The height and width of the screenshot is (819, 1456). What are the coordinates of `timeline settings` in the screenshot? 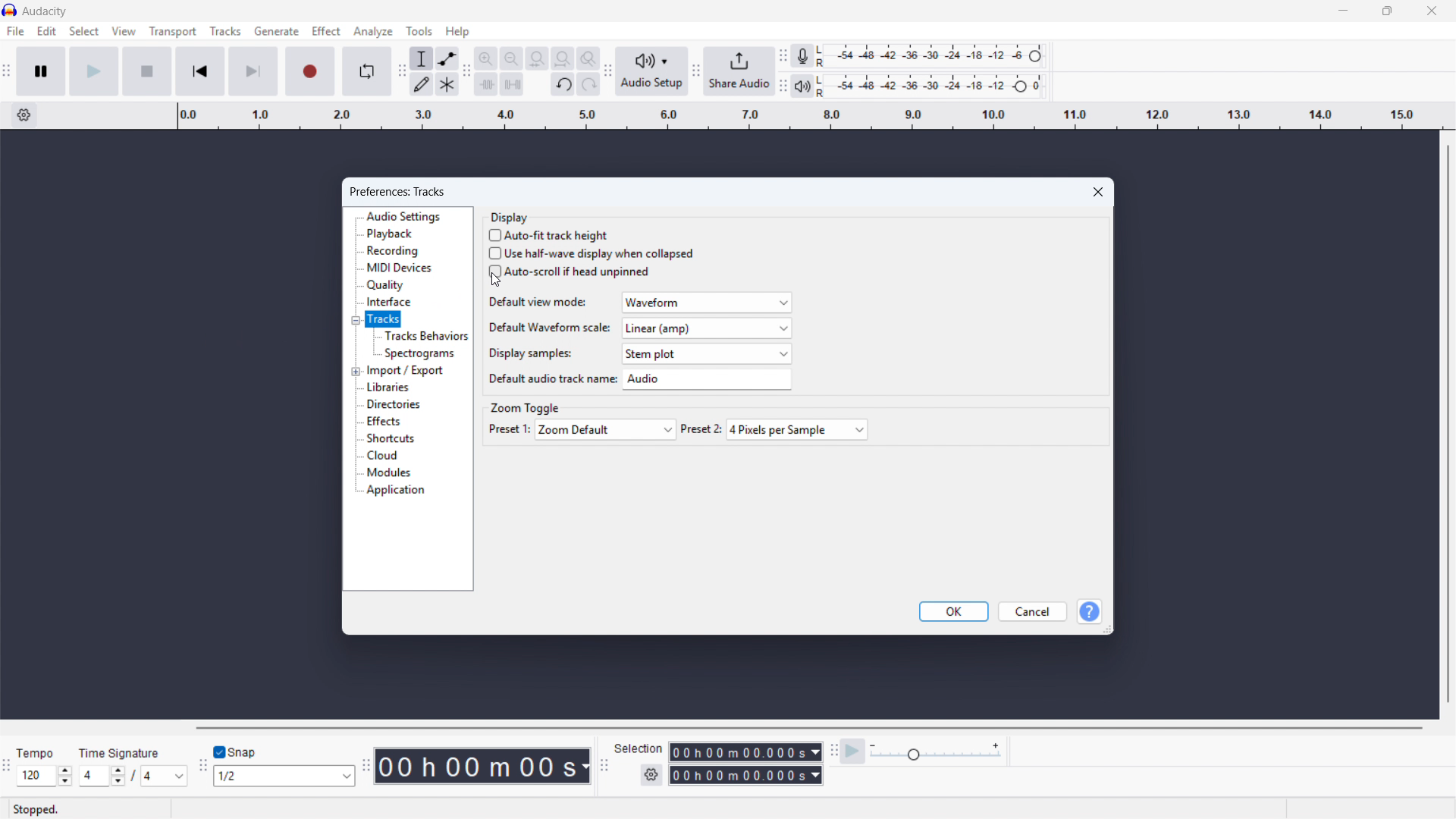 It's located at (24, 115).